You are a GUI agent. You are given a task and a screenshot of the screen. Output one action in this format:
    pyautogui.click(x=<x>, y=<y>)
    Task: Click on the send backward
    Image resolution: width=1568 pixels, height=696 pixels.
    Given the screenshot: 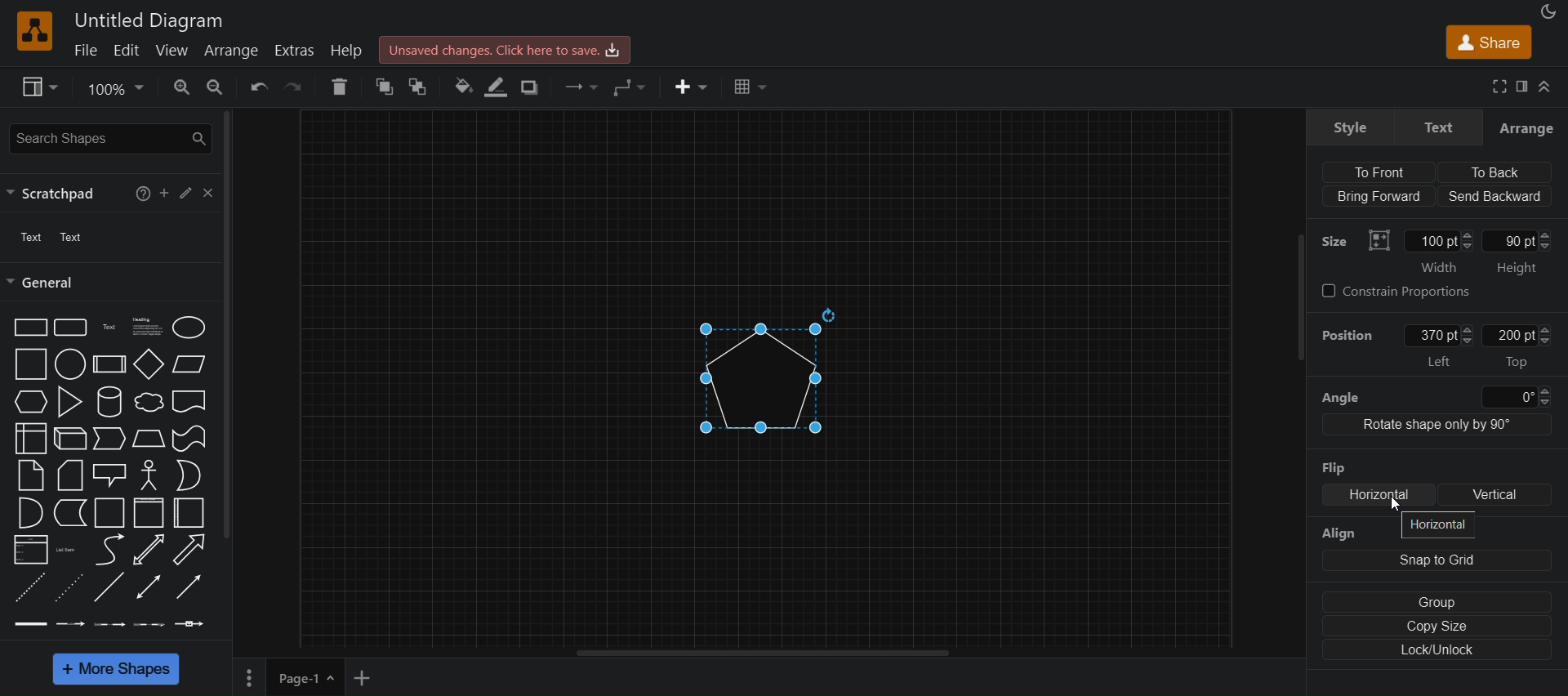 What is the action you would take?
    pyautogui.click(x=1494, y=196)
    